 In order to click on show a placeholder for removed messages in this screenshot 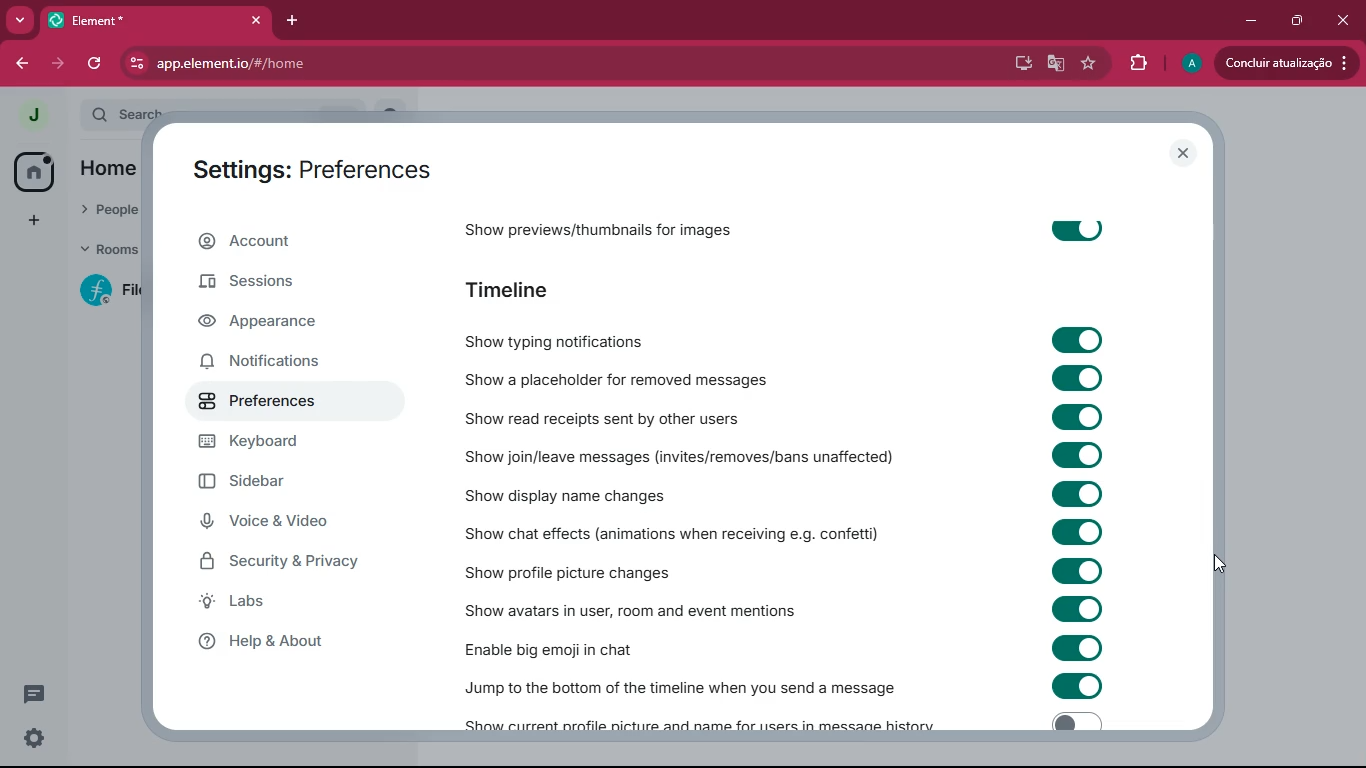, I will do `click(613, 381)`.